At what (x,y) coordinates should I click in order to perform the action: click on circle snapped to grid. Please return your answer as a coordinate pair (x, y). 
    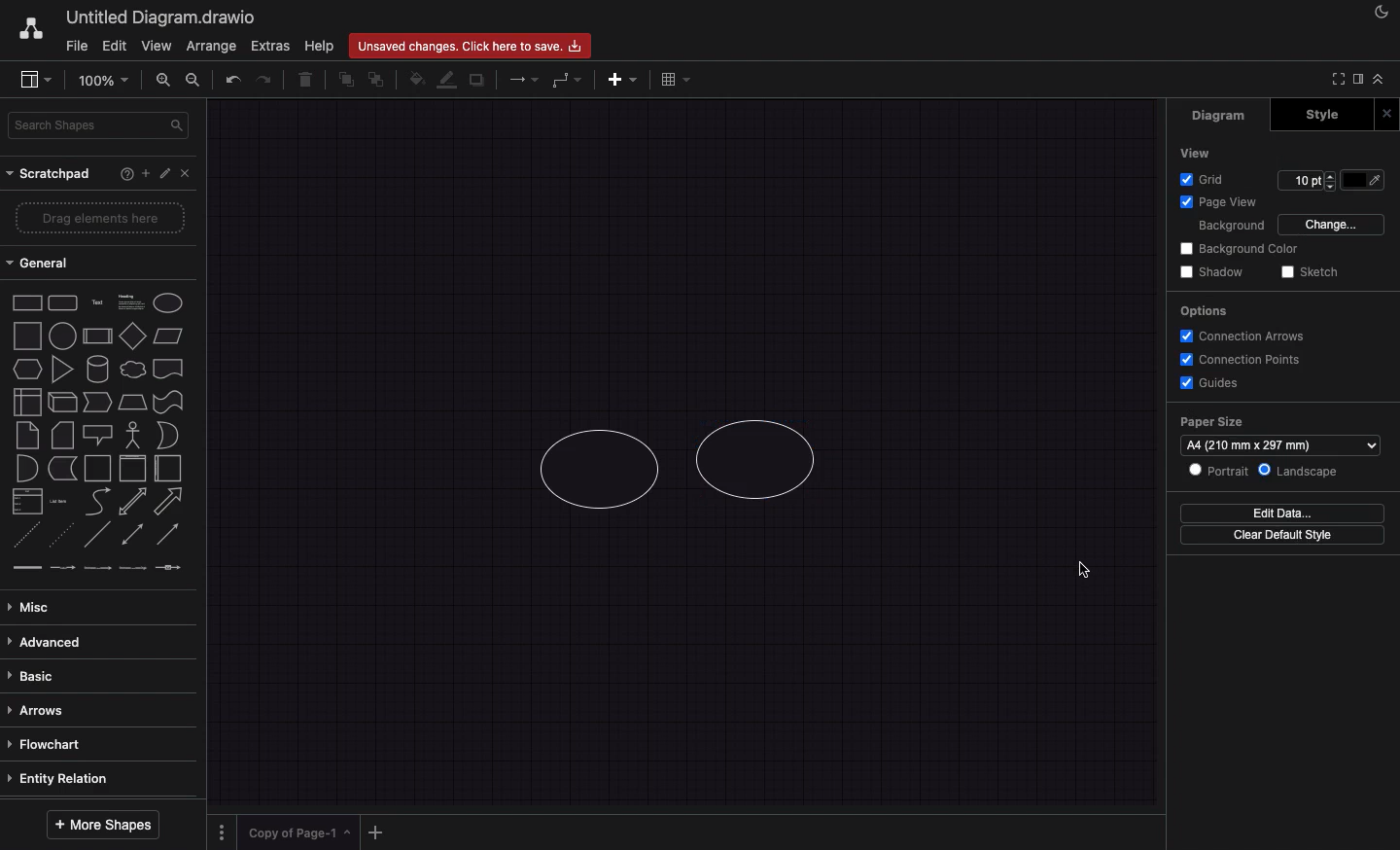
    Looking at the image, I should click on (761, 457).